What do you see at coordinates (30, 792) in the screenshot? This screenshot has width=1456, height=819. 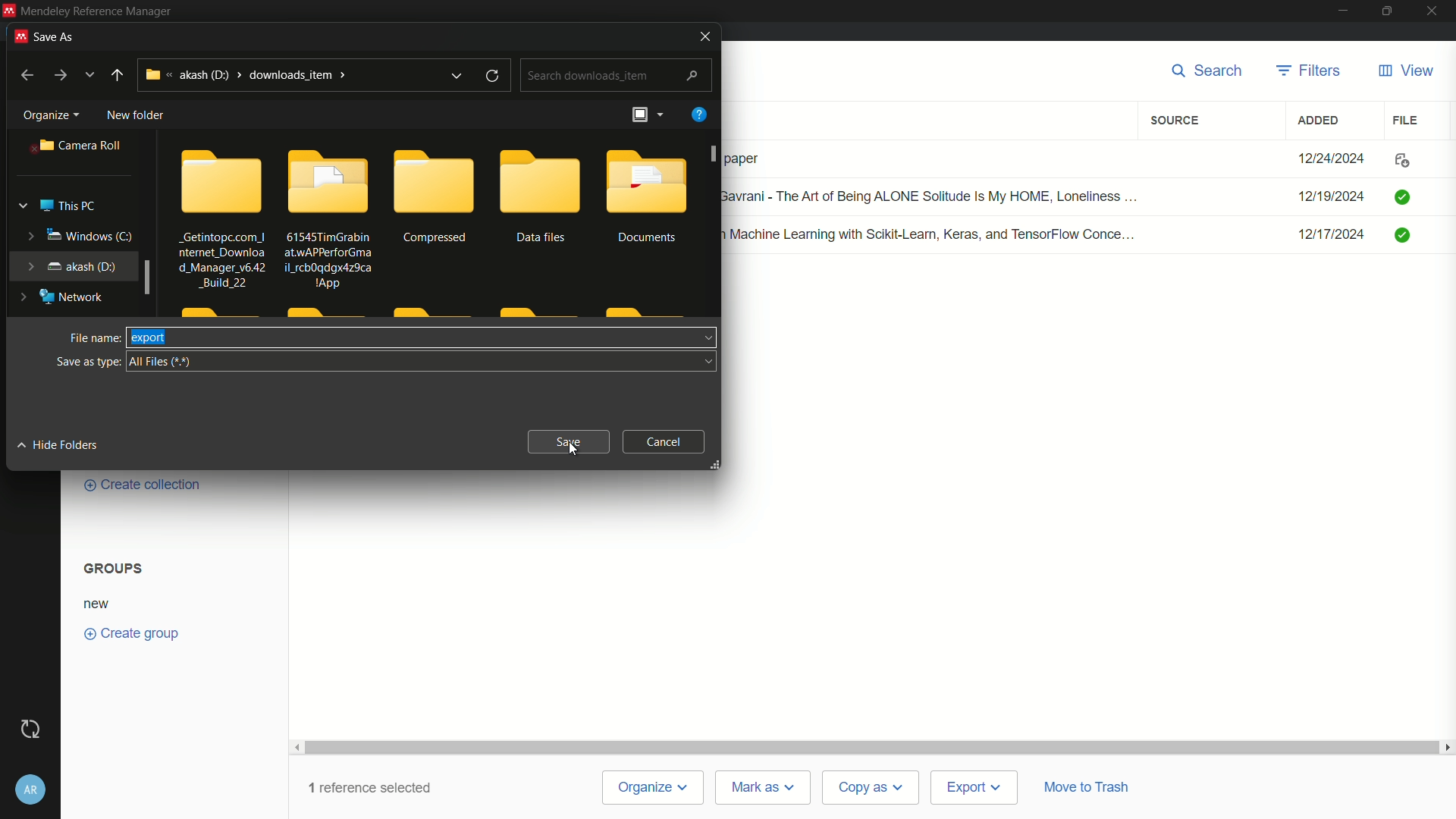 I see `account and help` at bounding box center [30, 792].